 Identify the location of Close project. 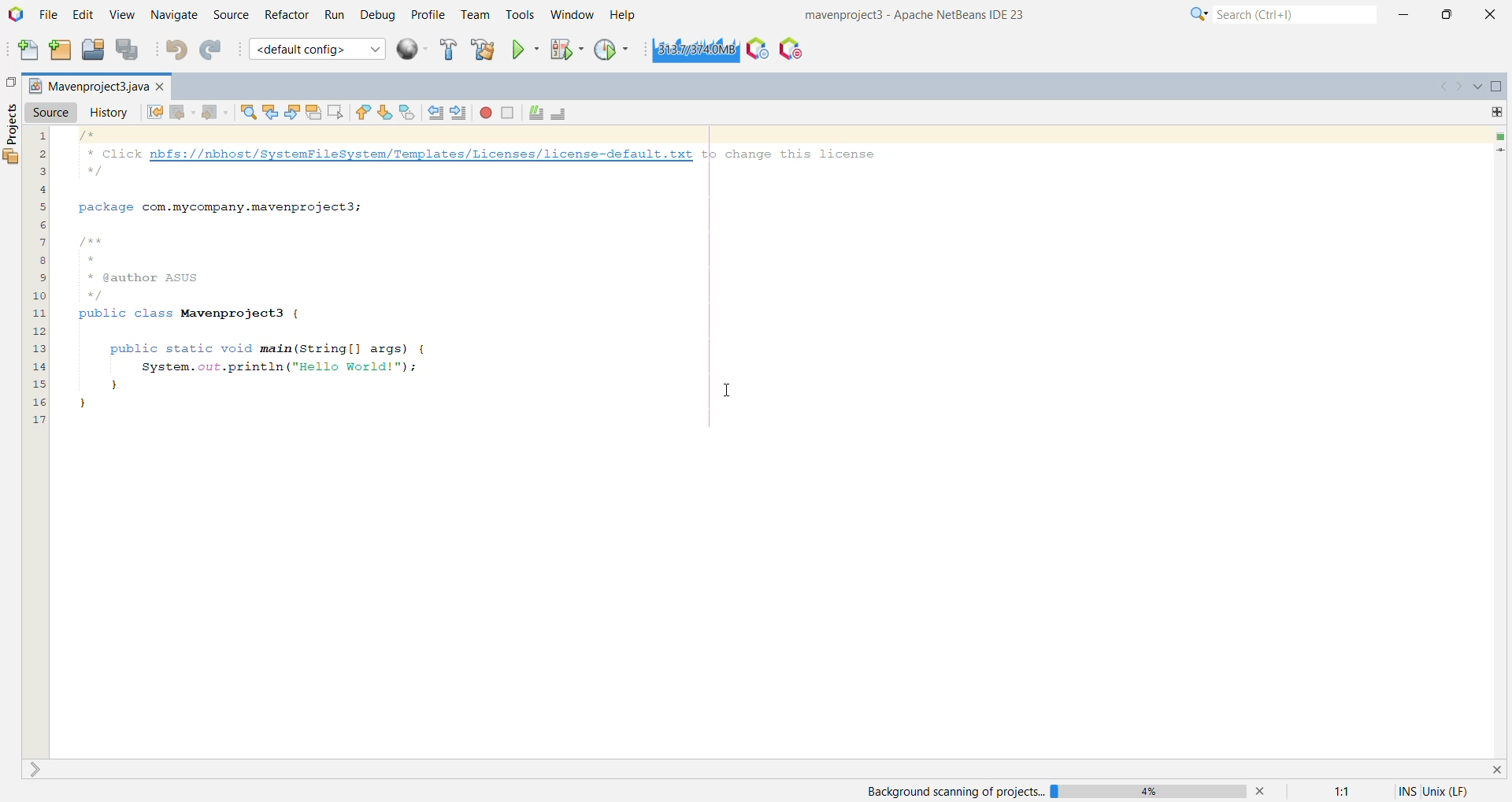
(163, 87).